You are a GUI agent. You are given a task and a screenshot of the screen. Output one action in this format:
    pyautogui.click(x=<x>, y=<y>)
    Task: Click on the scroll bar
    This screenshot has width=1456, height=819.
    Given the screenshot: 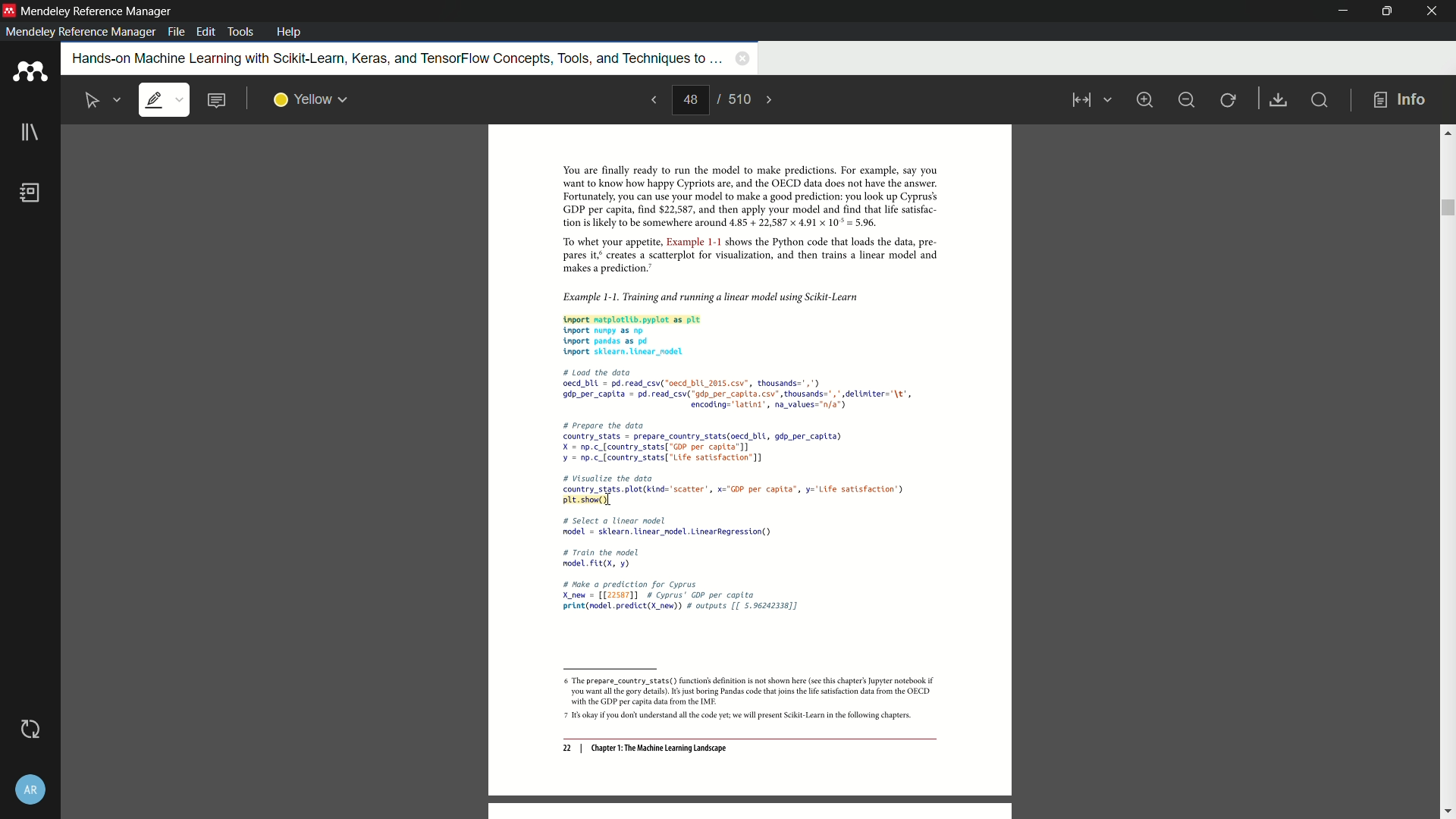 What is the action you would take?
    pyautogui.click(x=1446, y=208)
    